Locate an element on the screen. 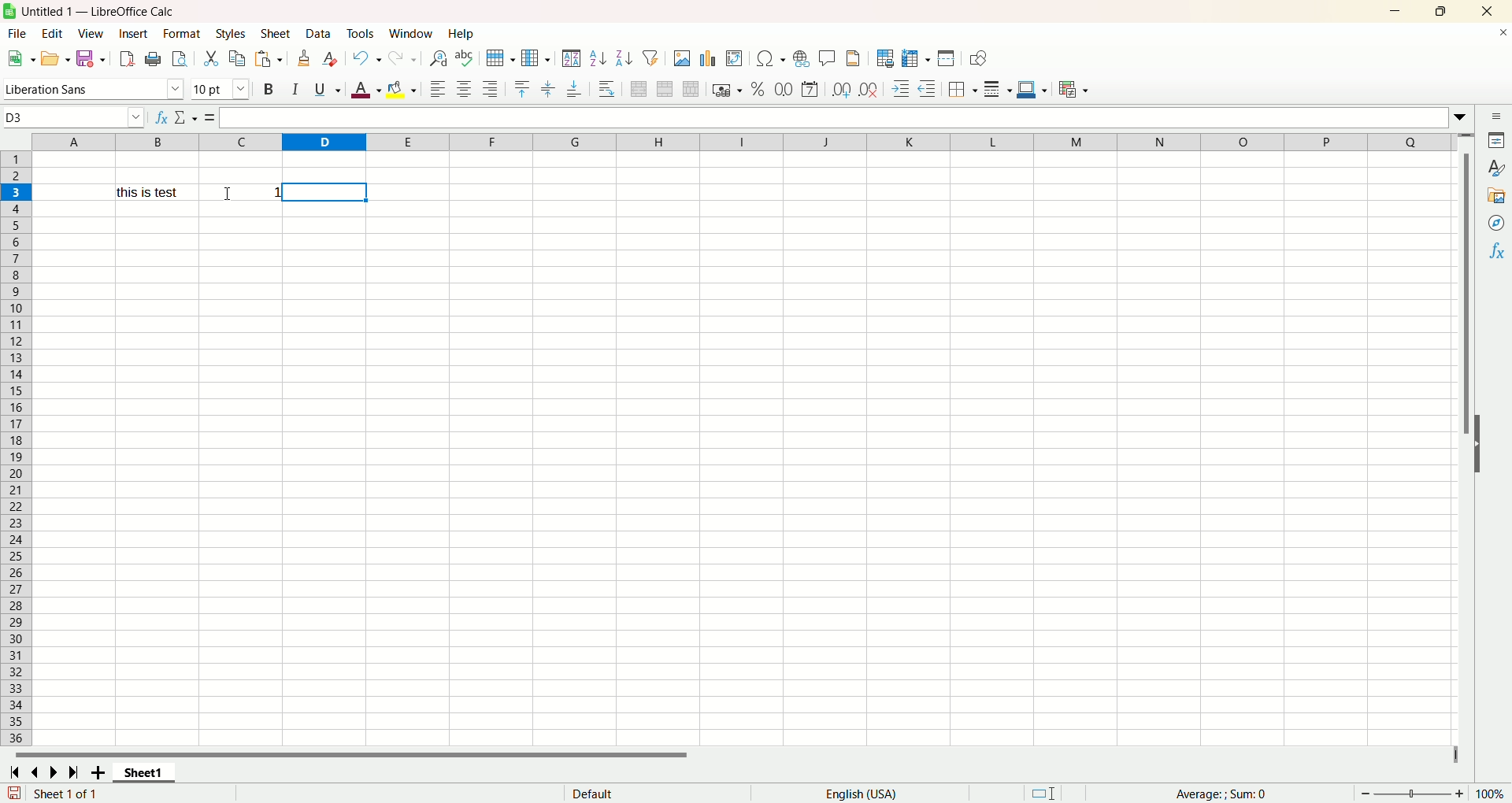 This screenshot has height=803, width=1512. italic is located at coordinates (297, 88).